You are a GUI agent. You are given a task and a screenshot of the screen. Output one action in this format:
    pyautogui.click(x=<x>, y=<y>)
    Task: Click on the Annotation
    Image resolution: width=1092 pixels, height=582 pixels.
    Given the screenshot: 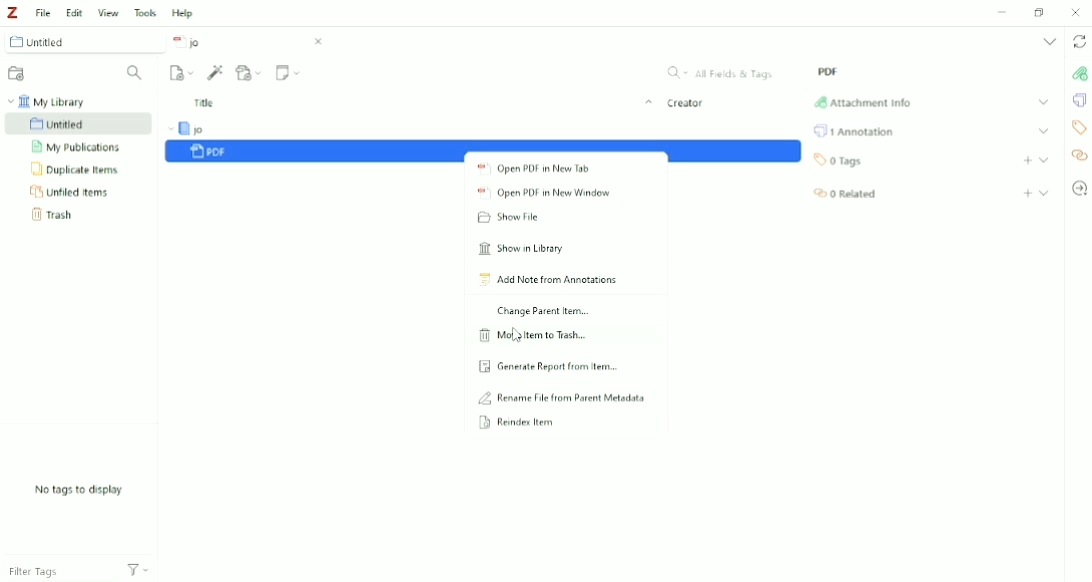 What is the action you would take?
    pyautogui.click(x=855, y=130)
    